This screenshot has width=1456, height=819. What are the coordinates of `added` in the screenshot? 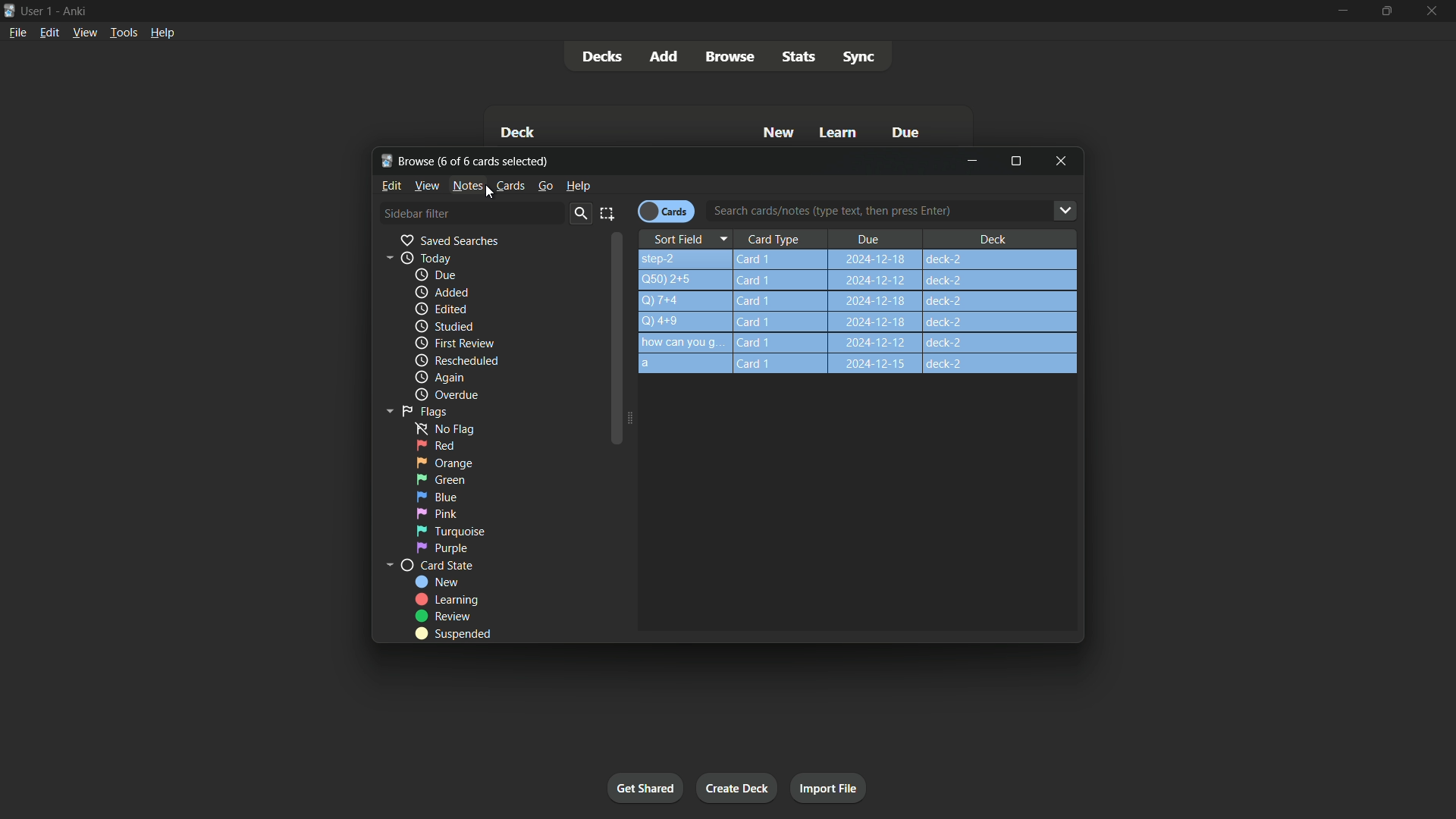 It's located at (439, 293).